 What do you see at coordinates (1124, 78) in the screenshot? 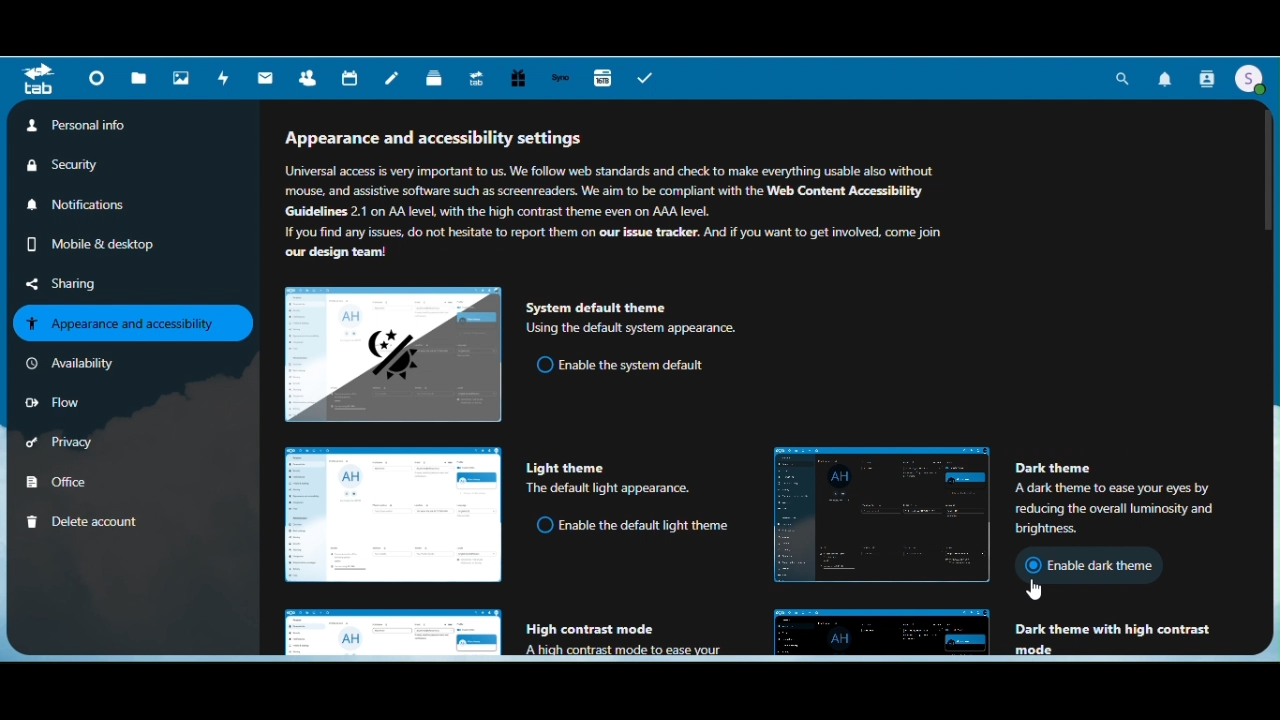
I see `Search` at bounding box center [1124, 78].